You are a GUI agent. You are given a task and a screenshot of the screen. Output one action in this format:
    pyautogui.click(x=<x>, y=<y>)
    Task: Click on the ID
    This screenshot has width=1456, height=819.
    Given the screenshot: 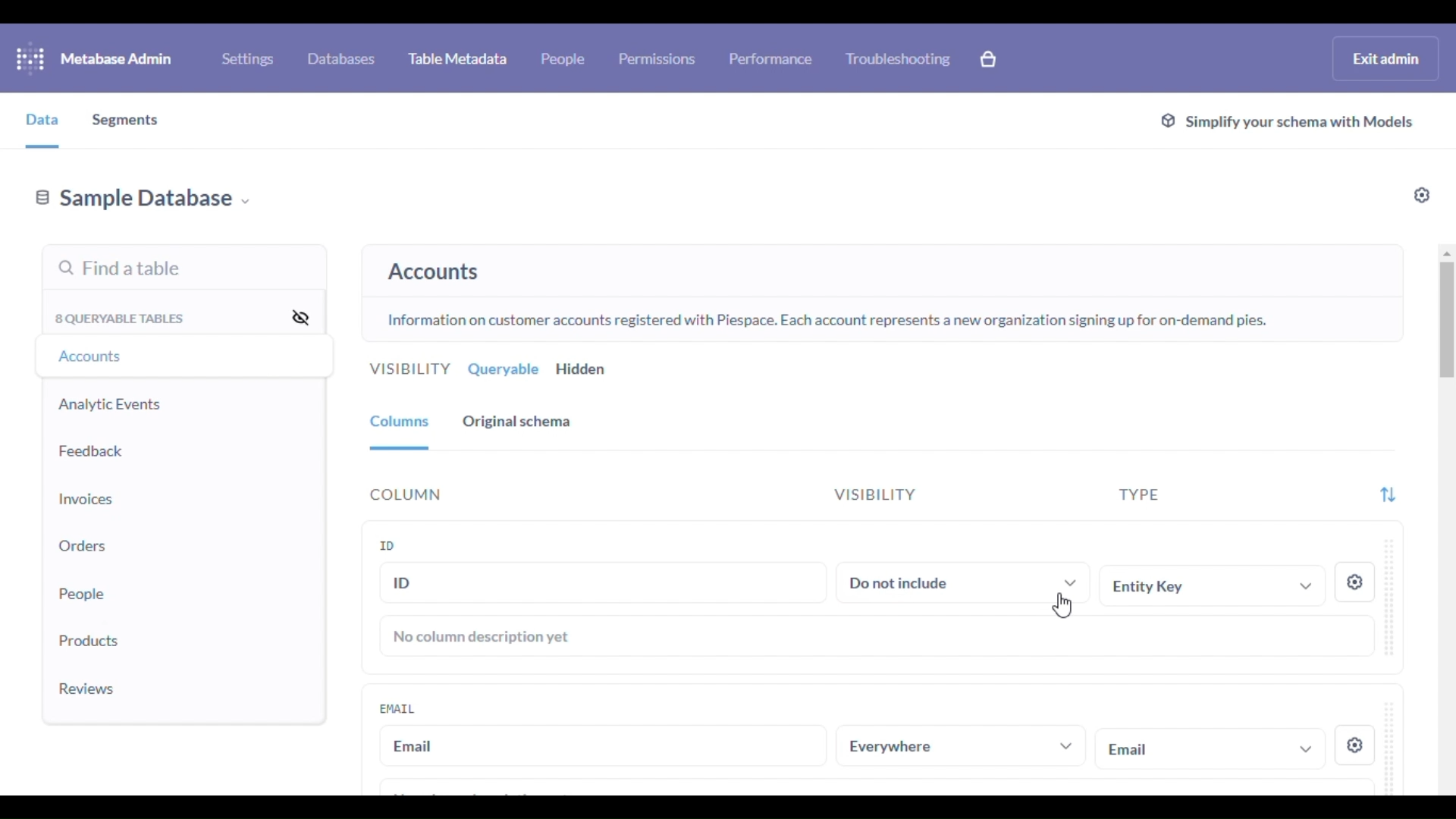 What is the action you would take?
    pyautogui.click(x=388, y=544)
    